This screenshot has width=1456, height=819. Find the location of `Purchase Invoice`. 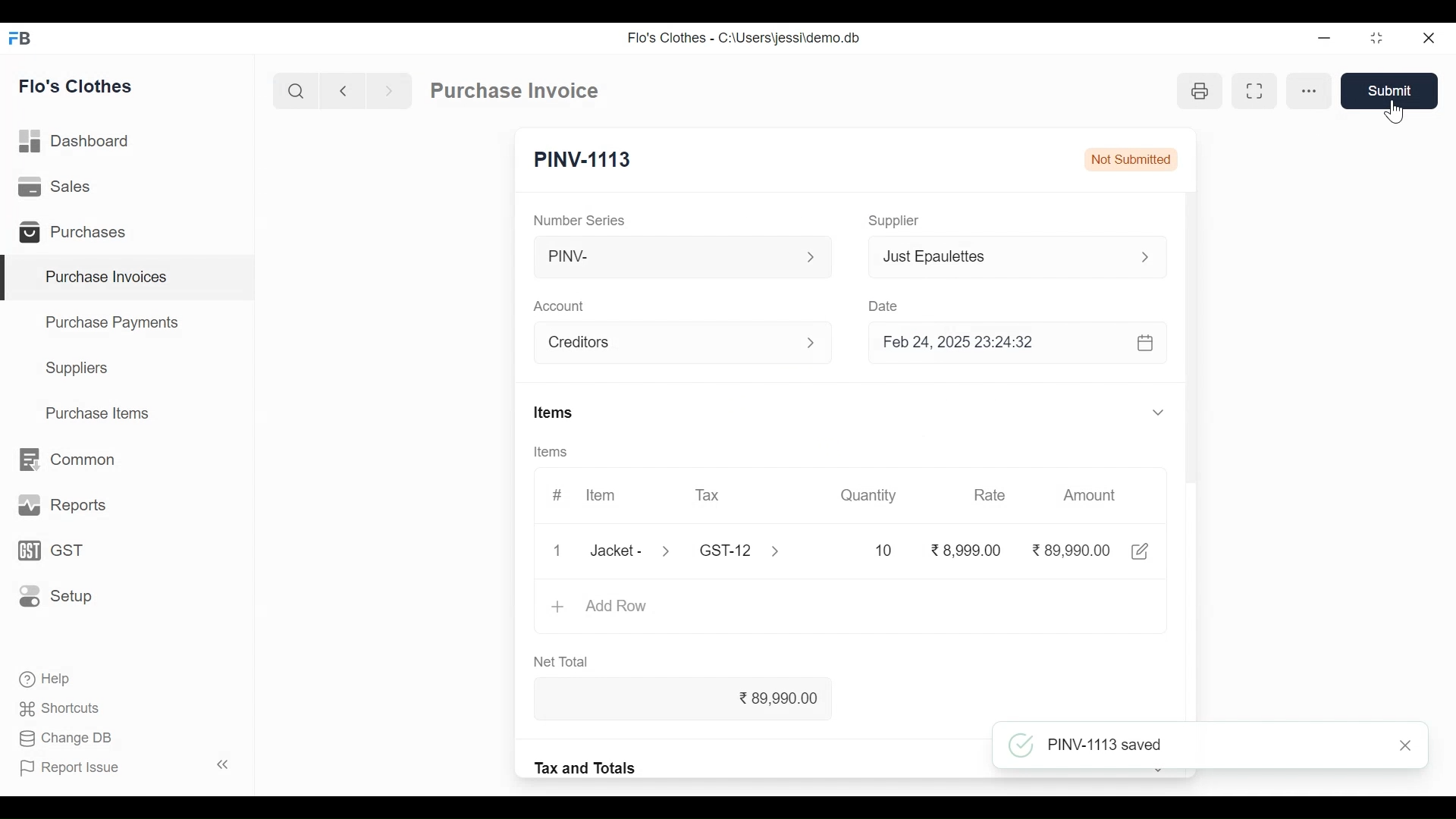

Purchase Invoice is located at coordinates (514, 90).